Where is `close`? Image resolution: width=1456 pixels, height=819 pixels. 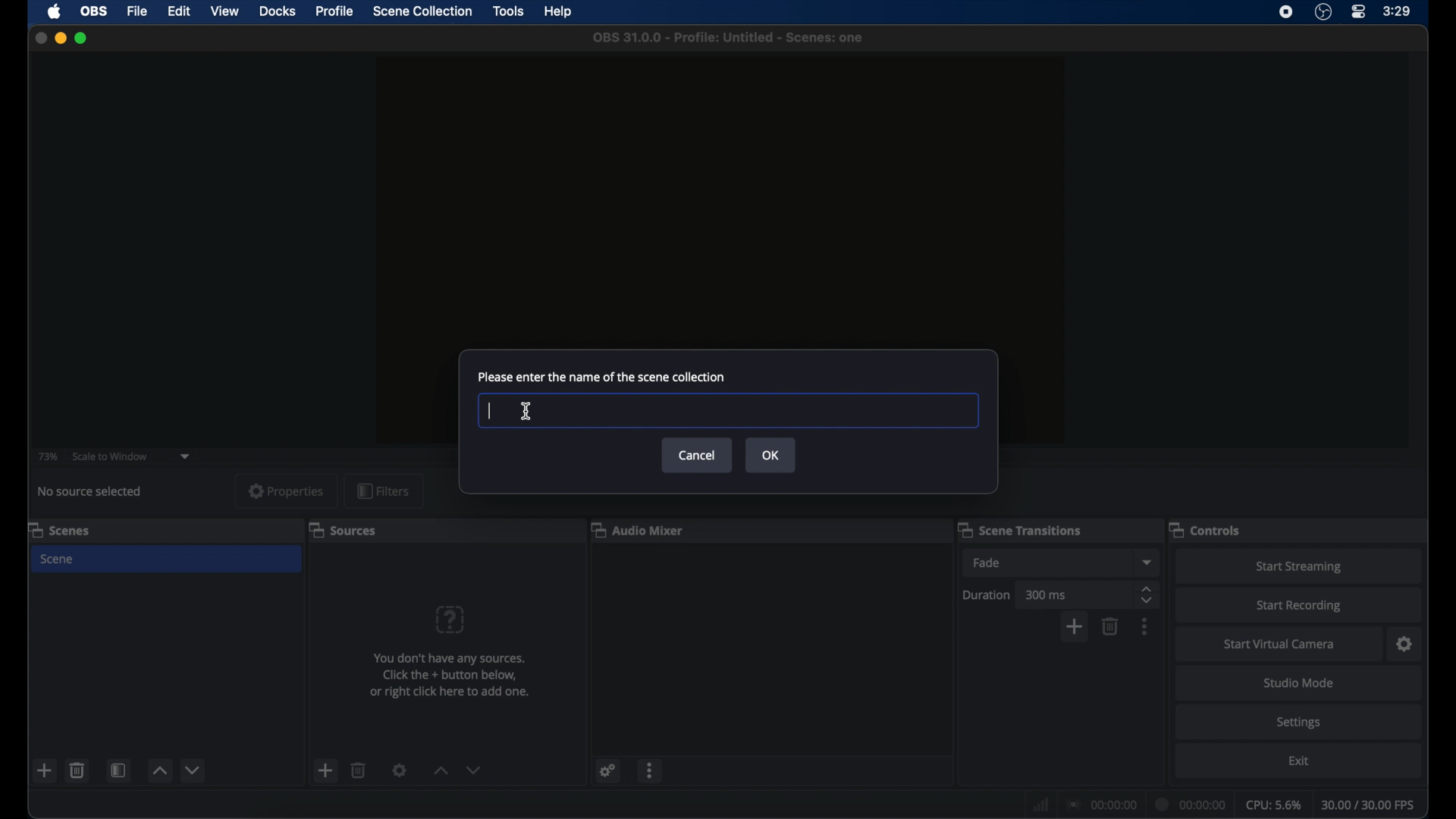 close is located at coordinates (40, 39).